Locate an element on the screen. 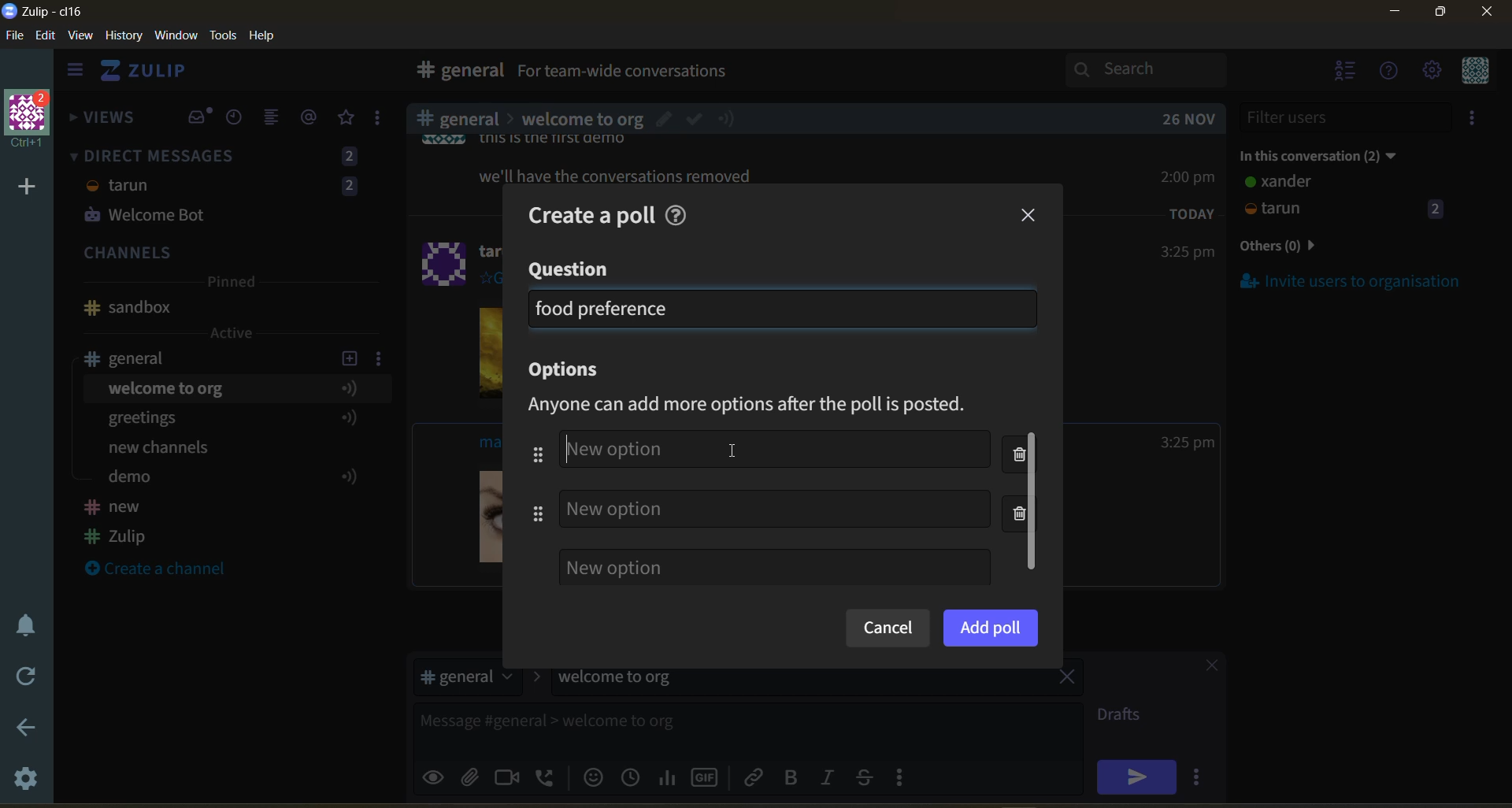 The width and height of the screenshot is (1512, 808). compose actions is located at coordinates (906, 776).